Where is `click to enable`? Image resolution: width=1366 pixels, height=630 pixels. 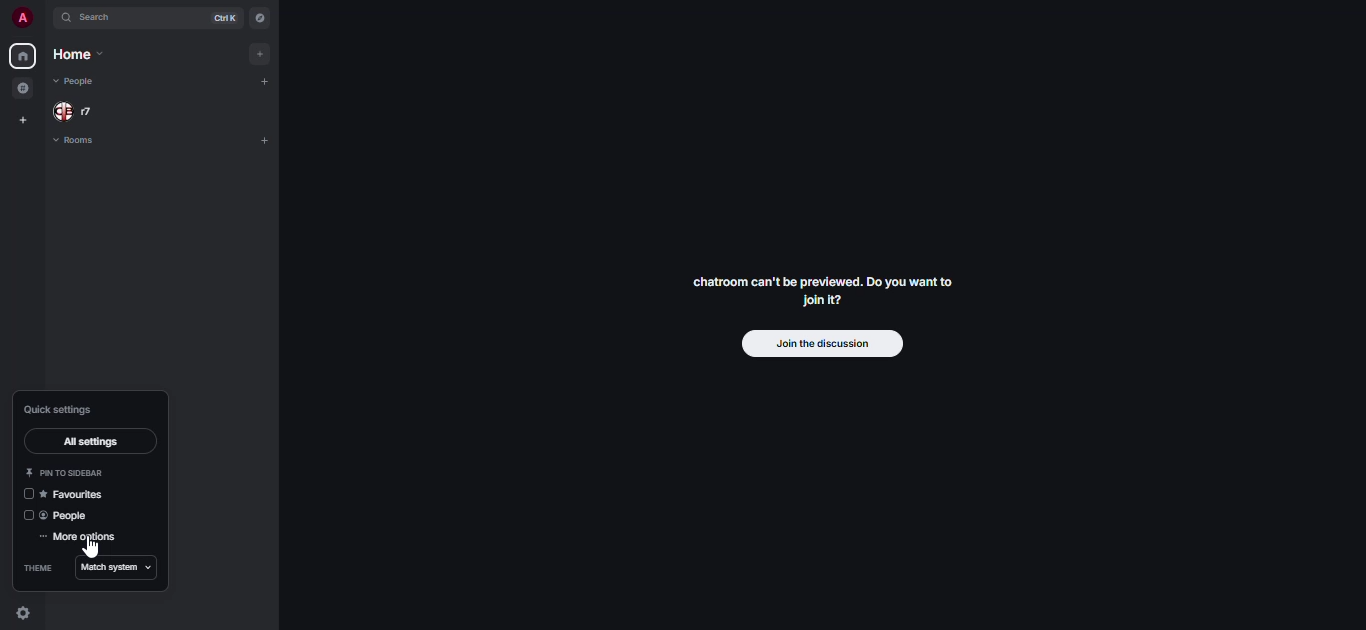
click to enable is located at coordinates (28, 515).